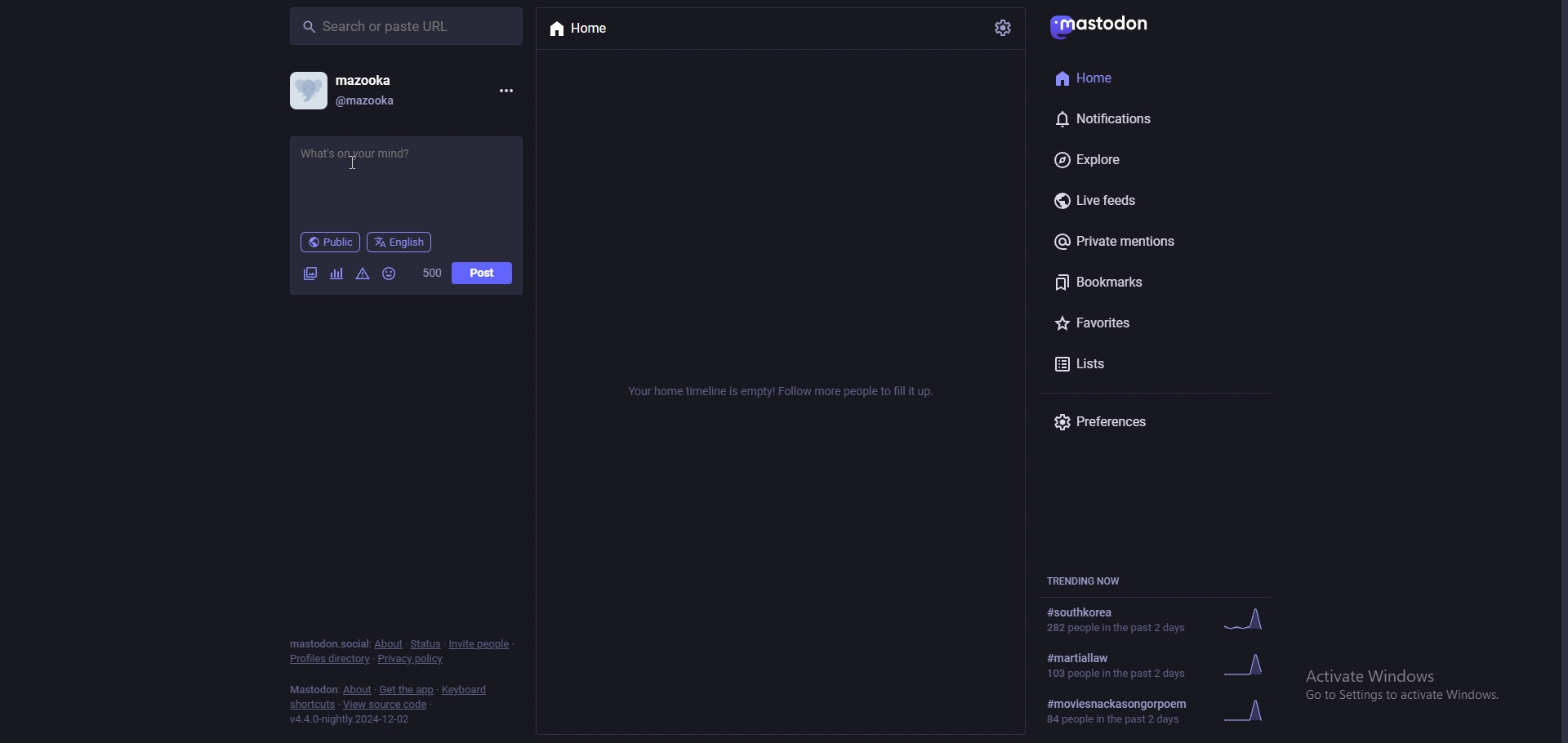 This screenshot has width=1568, height=743. Describe the element at coordinates (402, 81) in the screenshot. I see `mazooka` at that location.